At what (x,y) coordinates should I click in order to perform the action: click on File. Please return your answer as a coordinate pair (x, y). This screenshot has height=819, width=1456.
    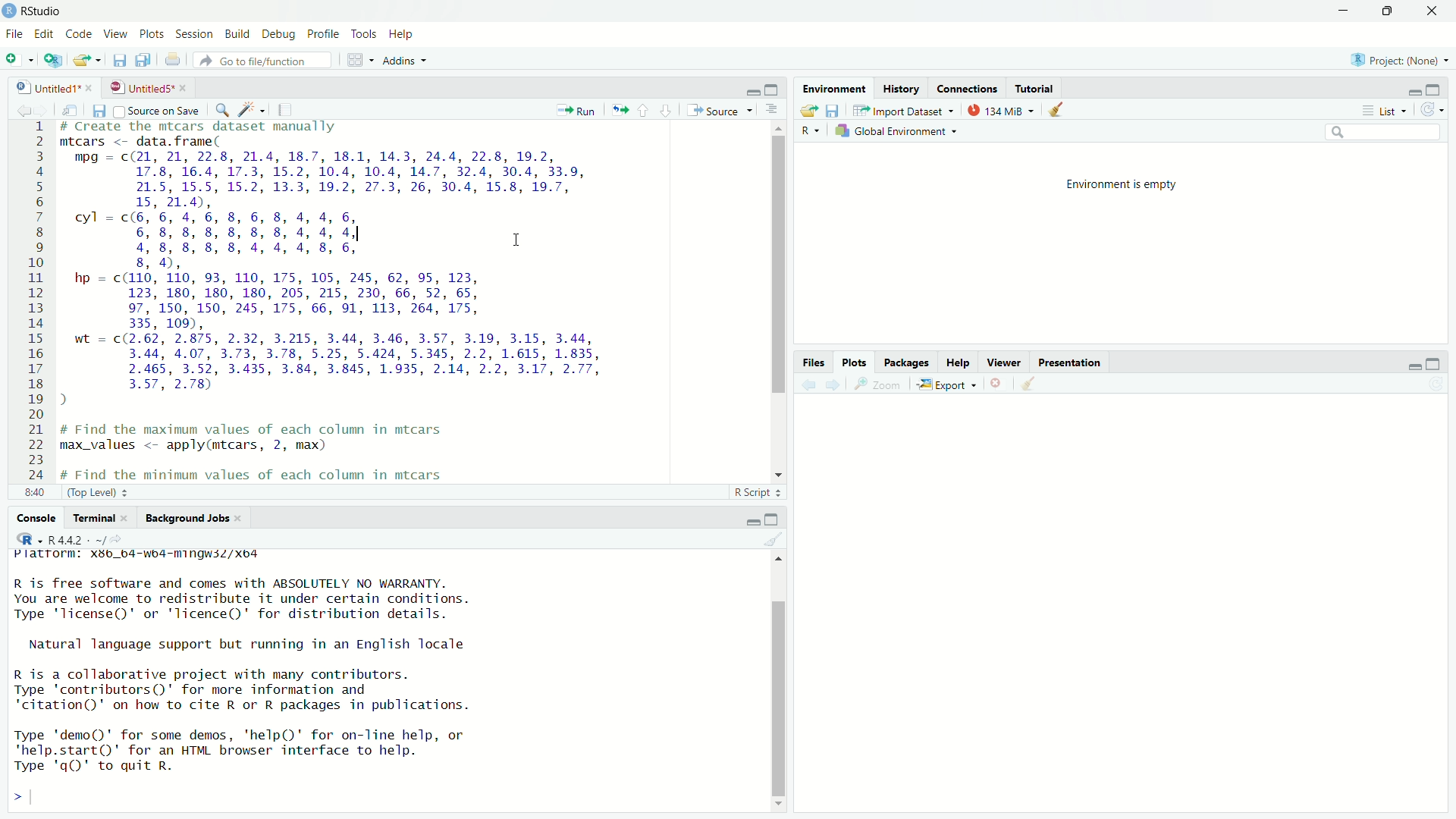
    Looking at the image, I should click on (15, 34).